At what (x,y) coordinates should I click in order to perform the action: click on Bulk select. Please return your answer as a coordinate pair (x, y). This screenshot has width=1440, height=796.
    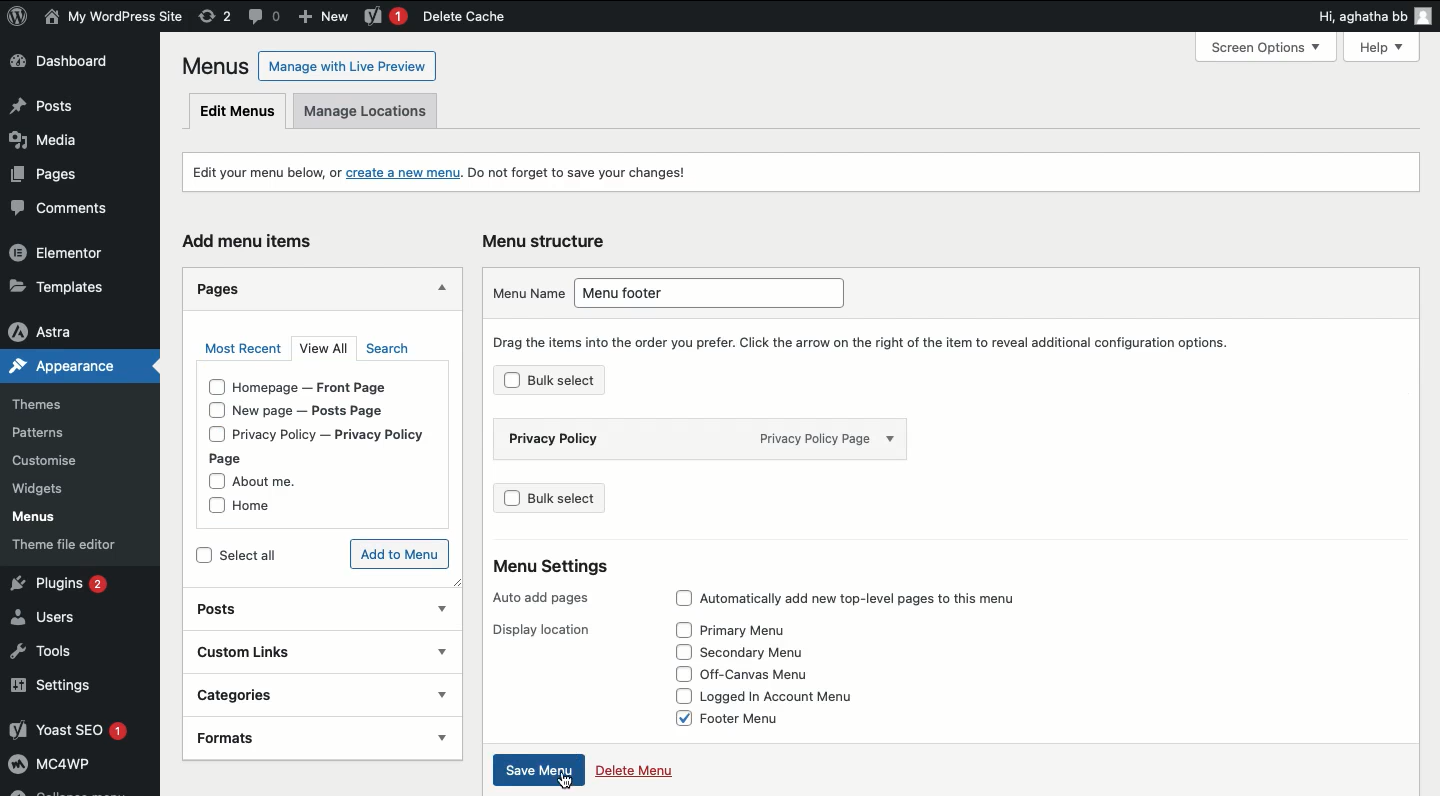
    Looking at the image, I should click on (581, 384).